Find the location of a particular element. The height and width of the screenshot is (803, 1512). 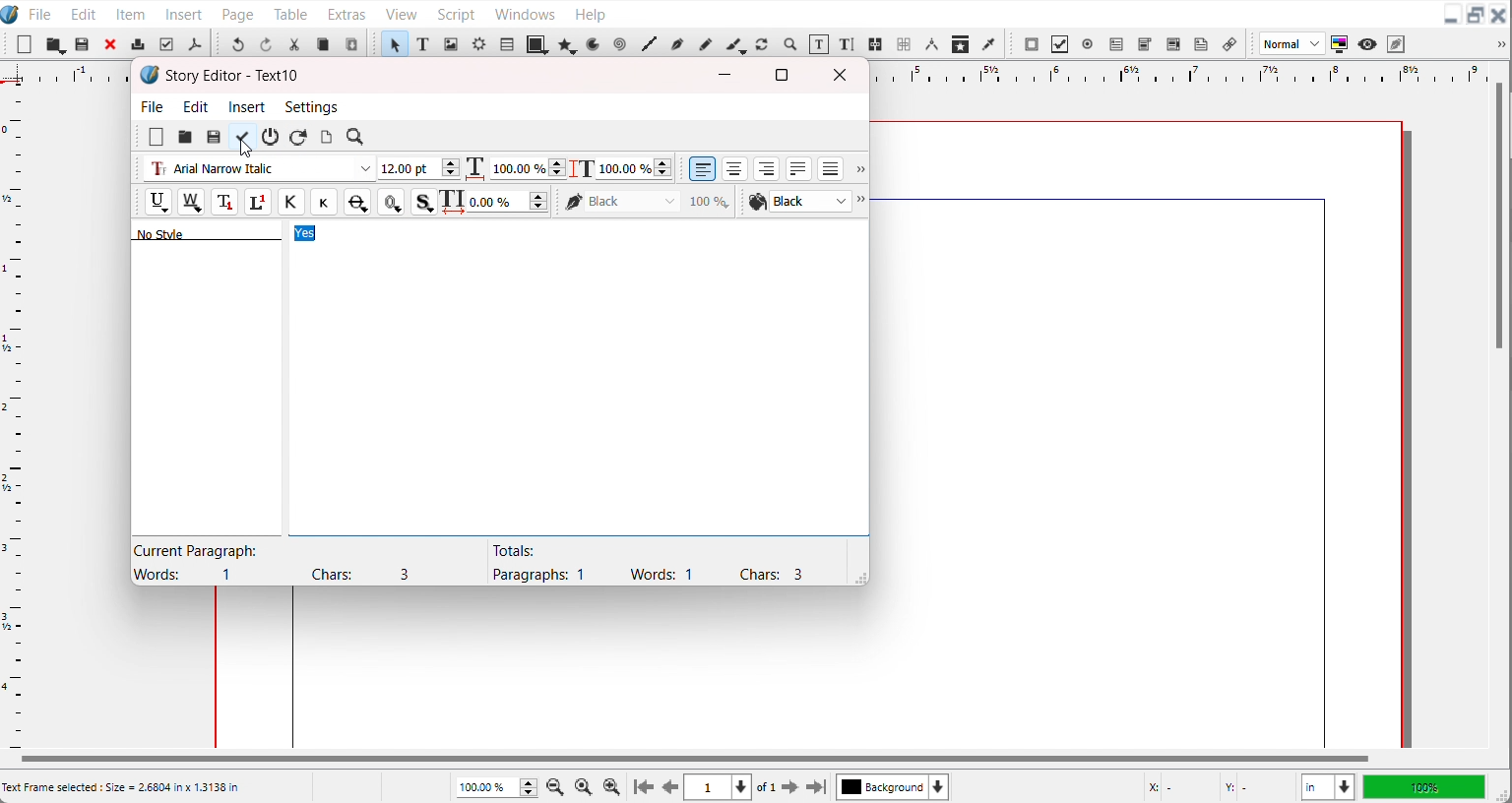

Strike out is located at coordinates (355, 202).